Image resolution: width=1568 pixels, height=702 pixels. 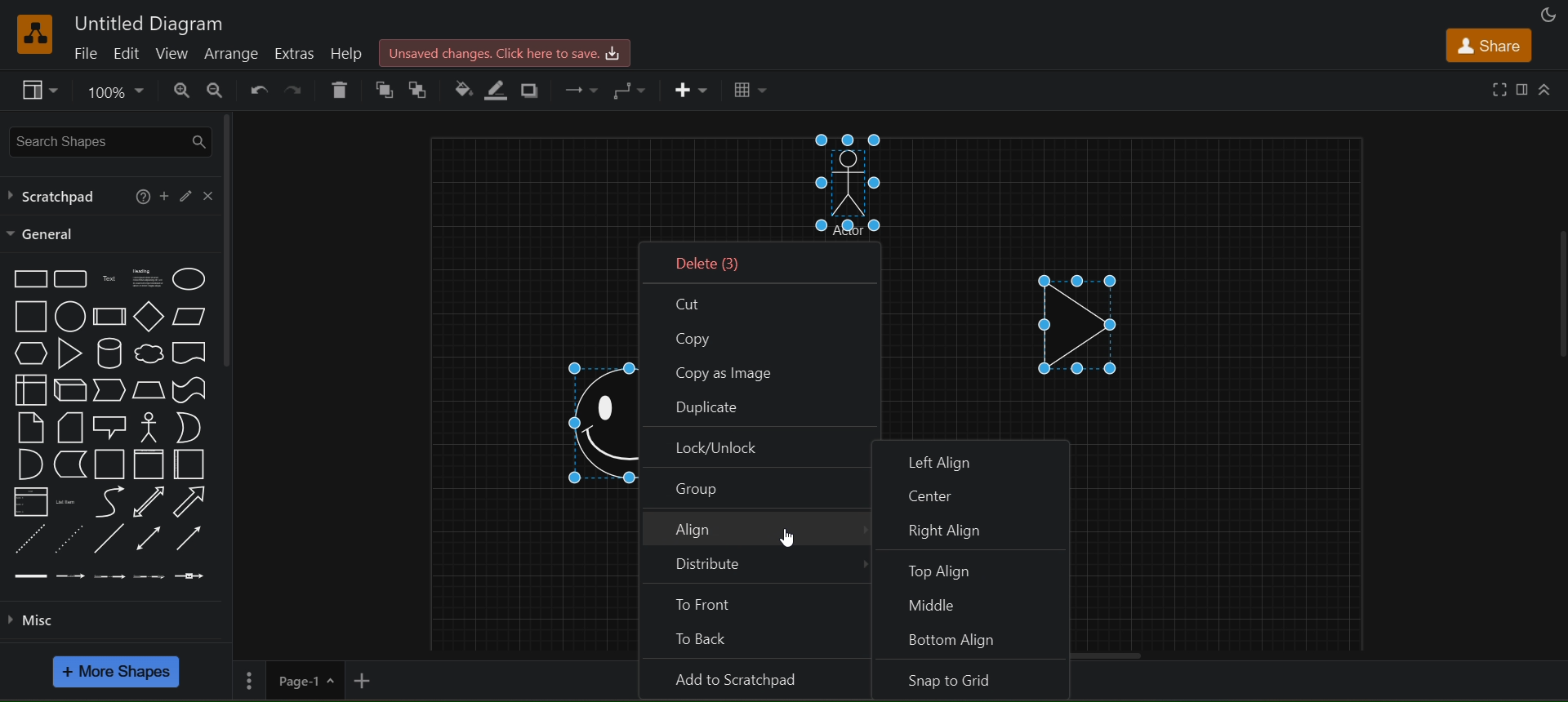 I want to click on square, so click(x=29, y=317).